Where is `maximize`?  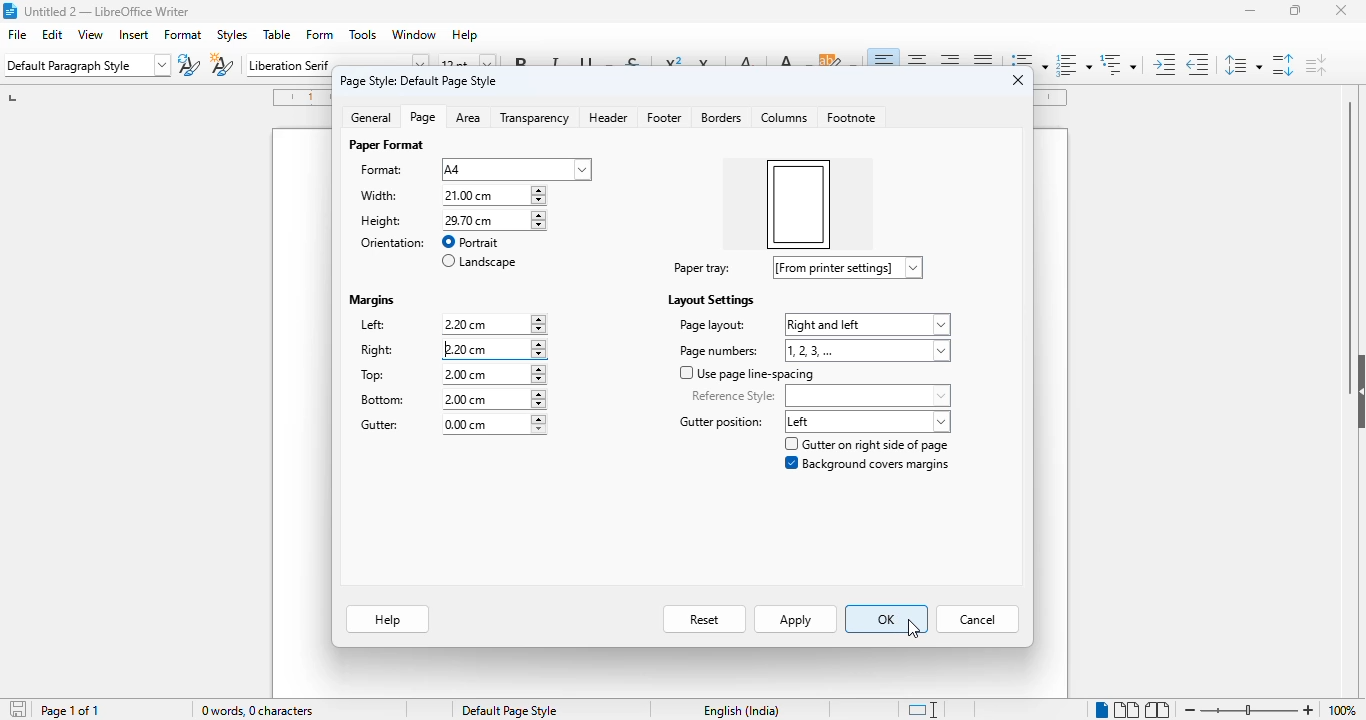 maximize is located at coordinates (1295, 10).